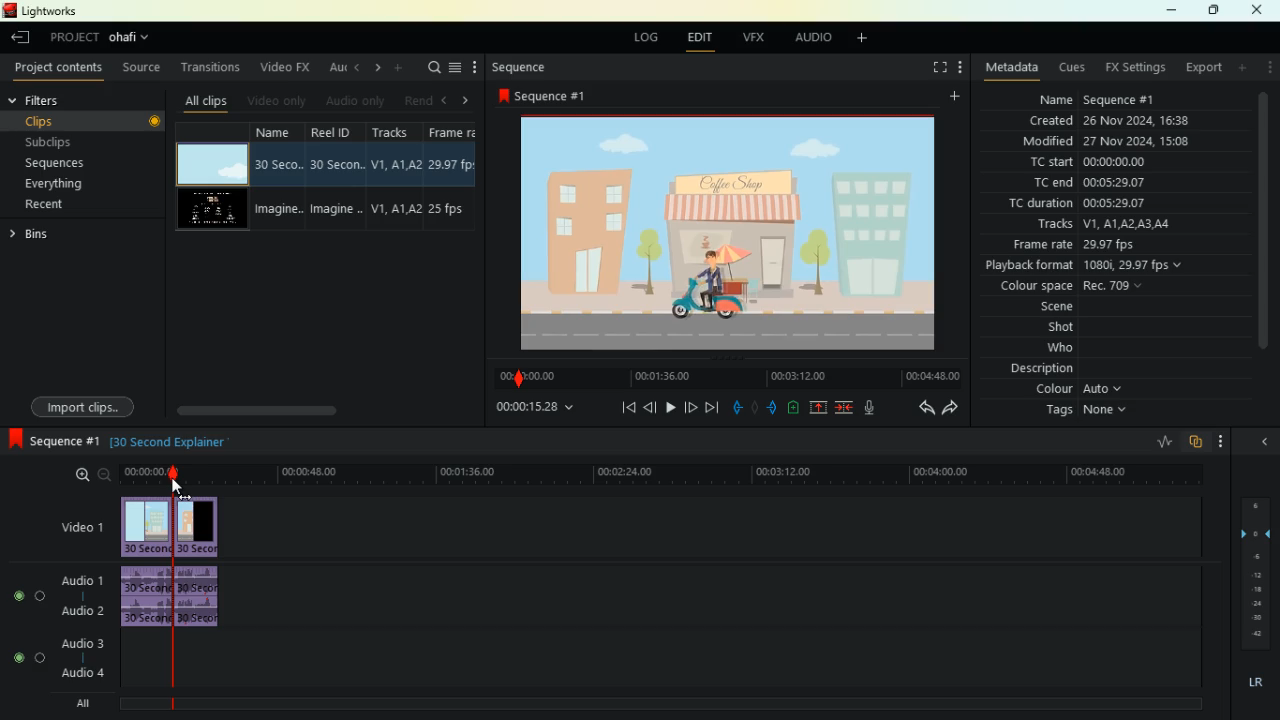 This screenshot has width=1280, height=720. I want to click on hold, so click(754, 407).